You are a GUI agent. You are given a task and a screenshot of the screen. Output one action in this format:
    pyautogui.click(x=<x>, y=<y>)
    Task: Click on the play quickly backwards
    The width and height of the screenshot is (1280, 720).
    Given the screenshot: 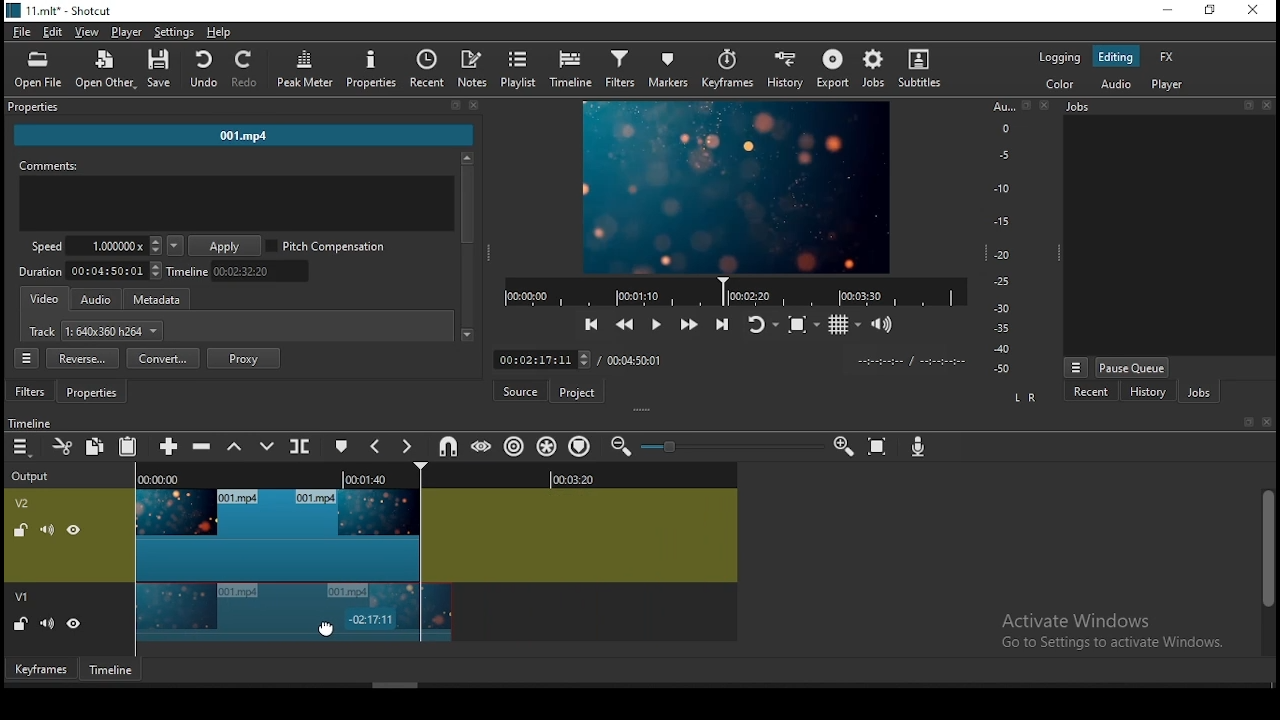 What is the action you would take?
    pyautogui.click(x=625, y=324)
    